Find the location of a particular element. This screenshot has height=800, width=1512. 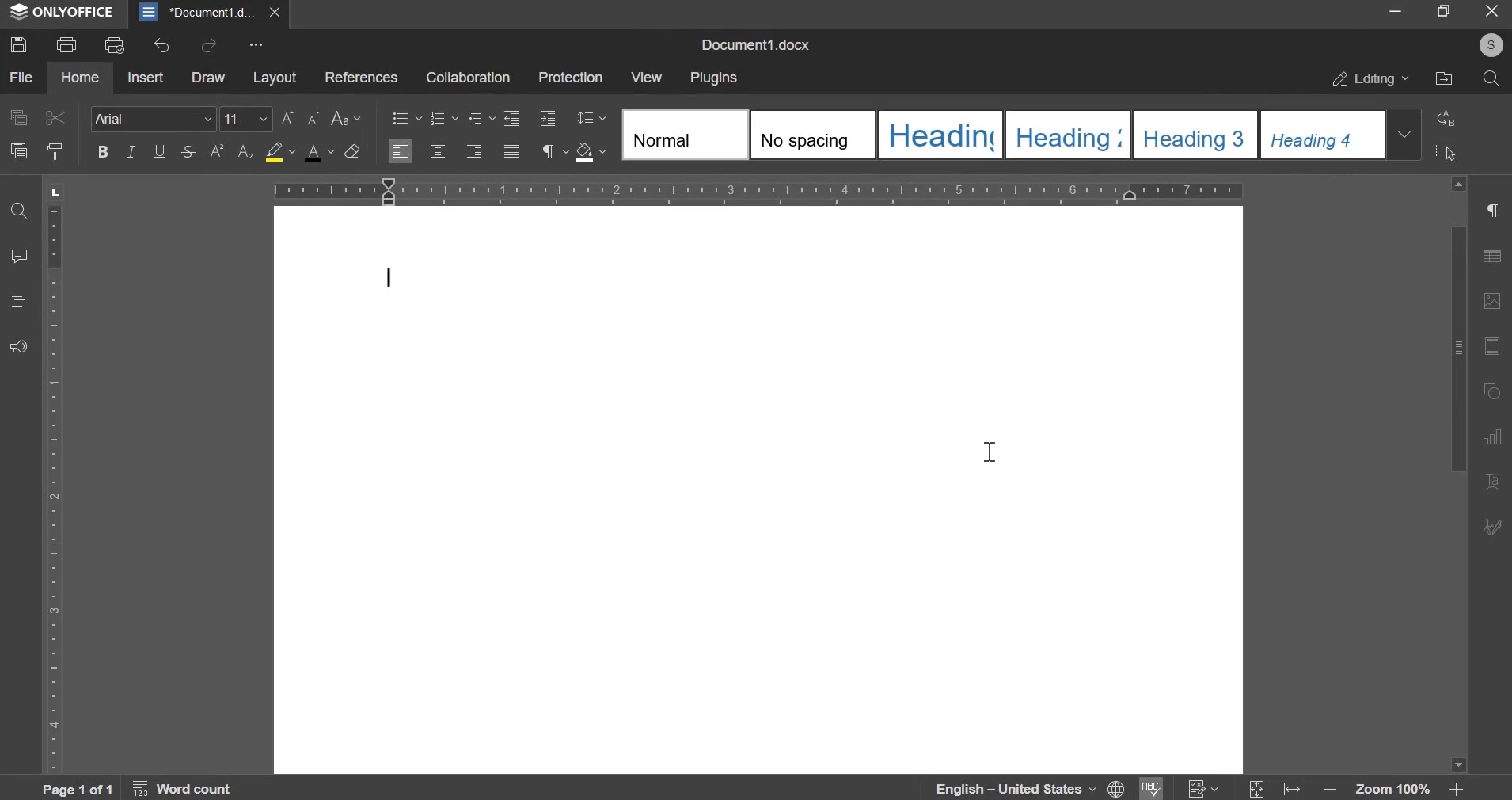

Increase zoom is located at coordinates (1457, 790).